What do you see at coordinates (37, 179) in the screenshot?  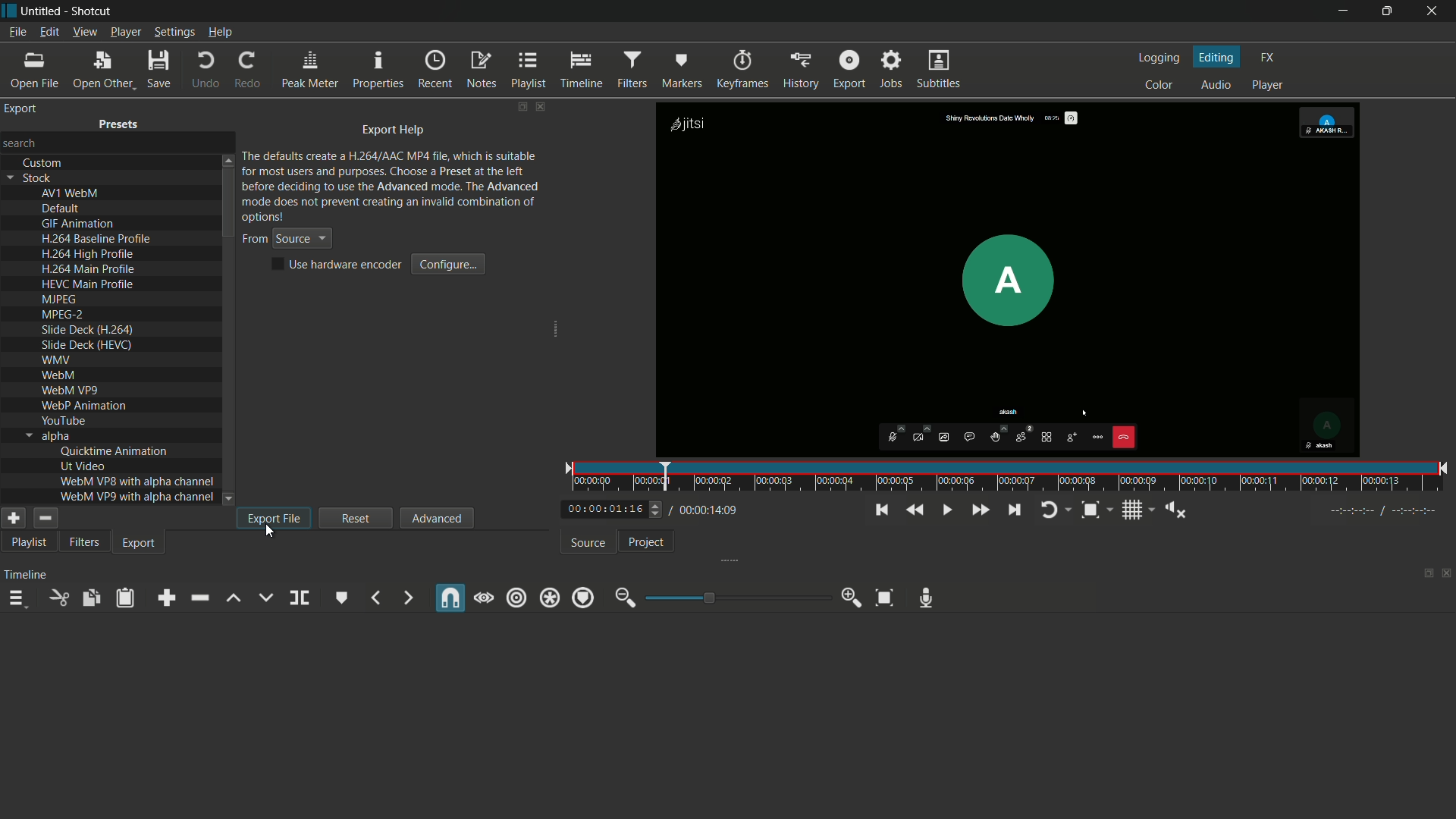 I see `stock` at bounding box center [37, 179].